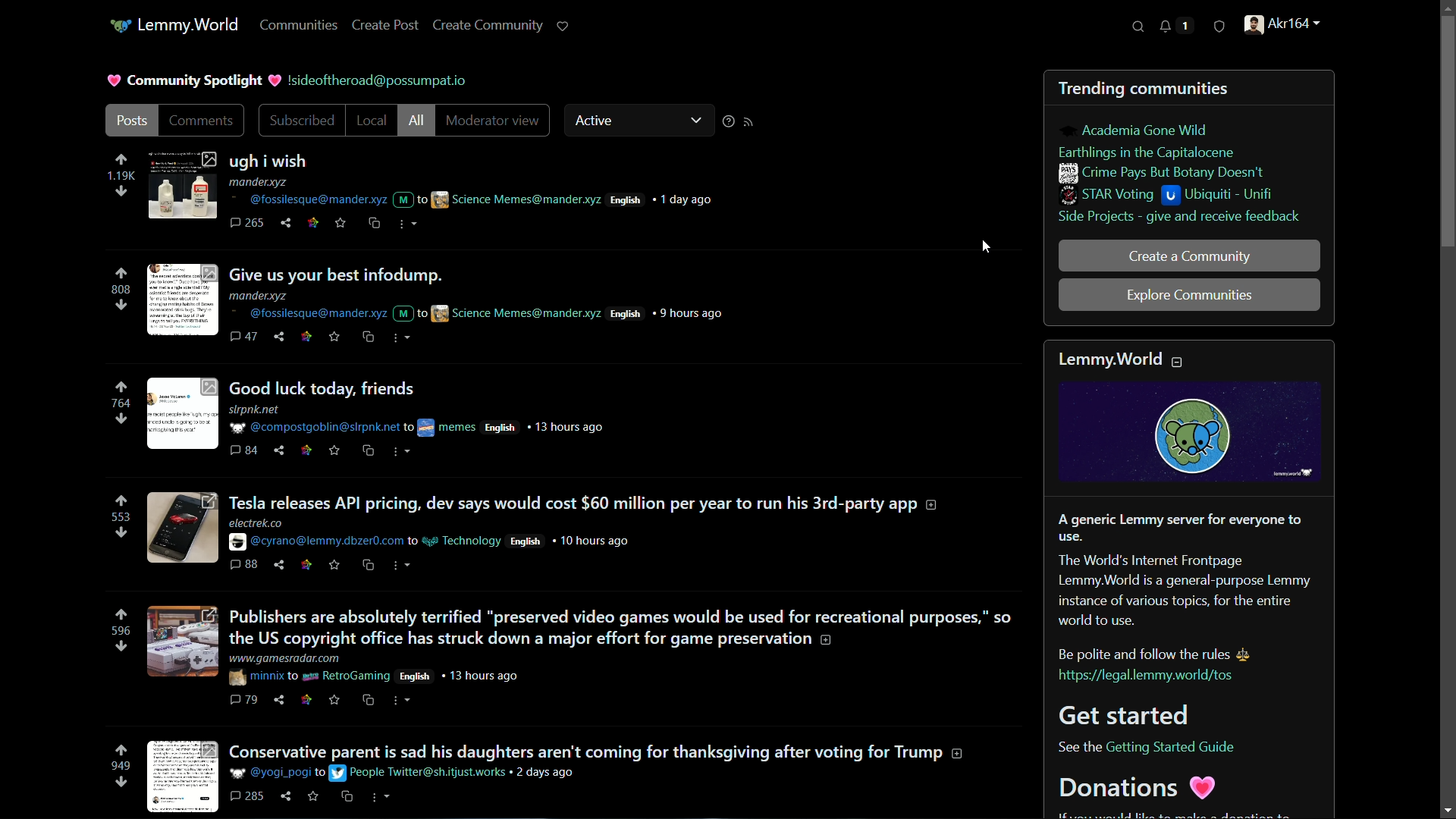 Image resolution: width=1456 pixels, height=819 pixels. Describe the element at coordinates (121, 160) in the screenshot. I see `upvote` at that location.